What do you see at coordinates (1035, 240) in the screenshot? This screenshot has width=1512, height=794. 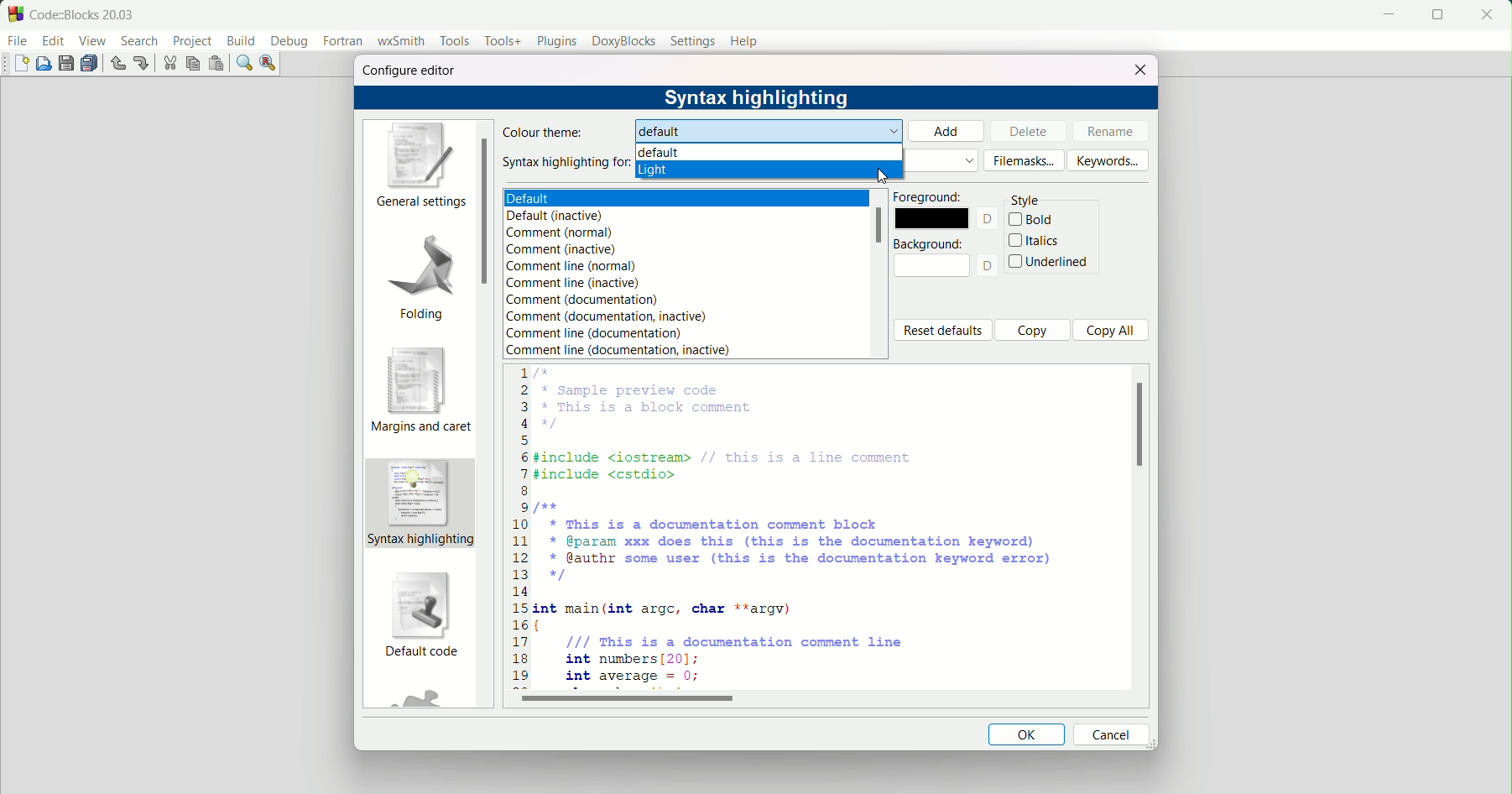 I see `italics` at bounding box center [1035, 240].